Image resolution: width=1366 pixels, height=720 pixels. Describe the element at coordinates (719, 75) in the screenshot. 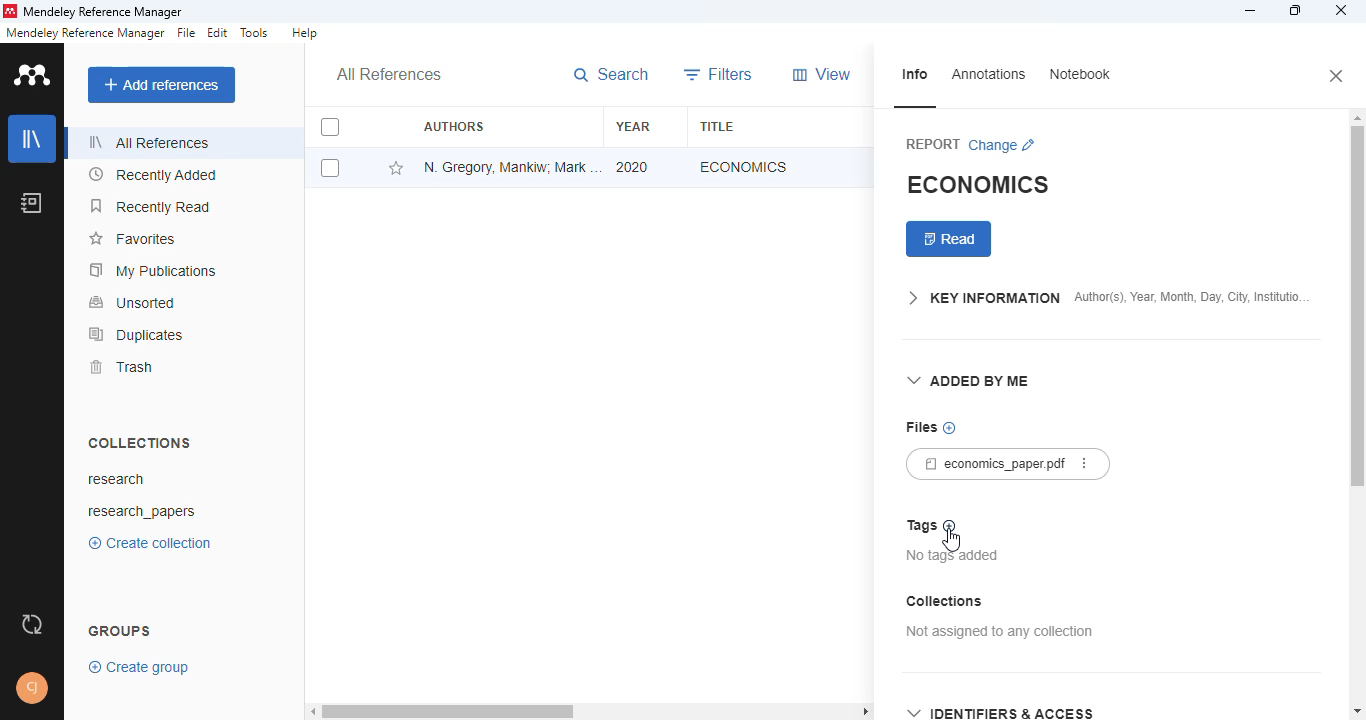

I see `filters` at that location.